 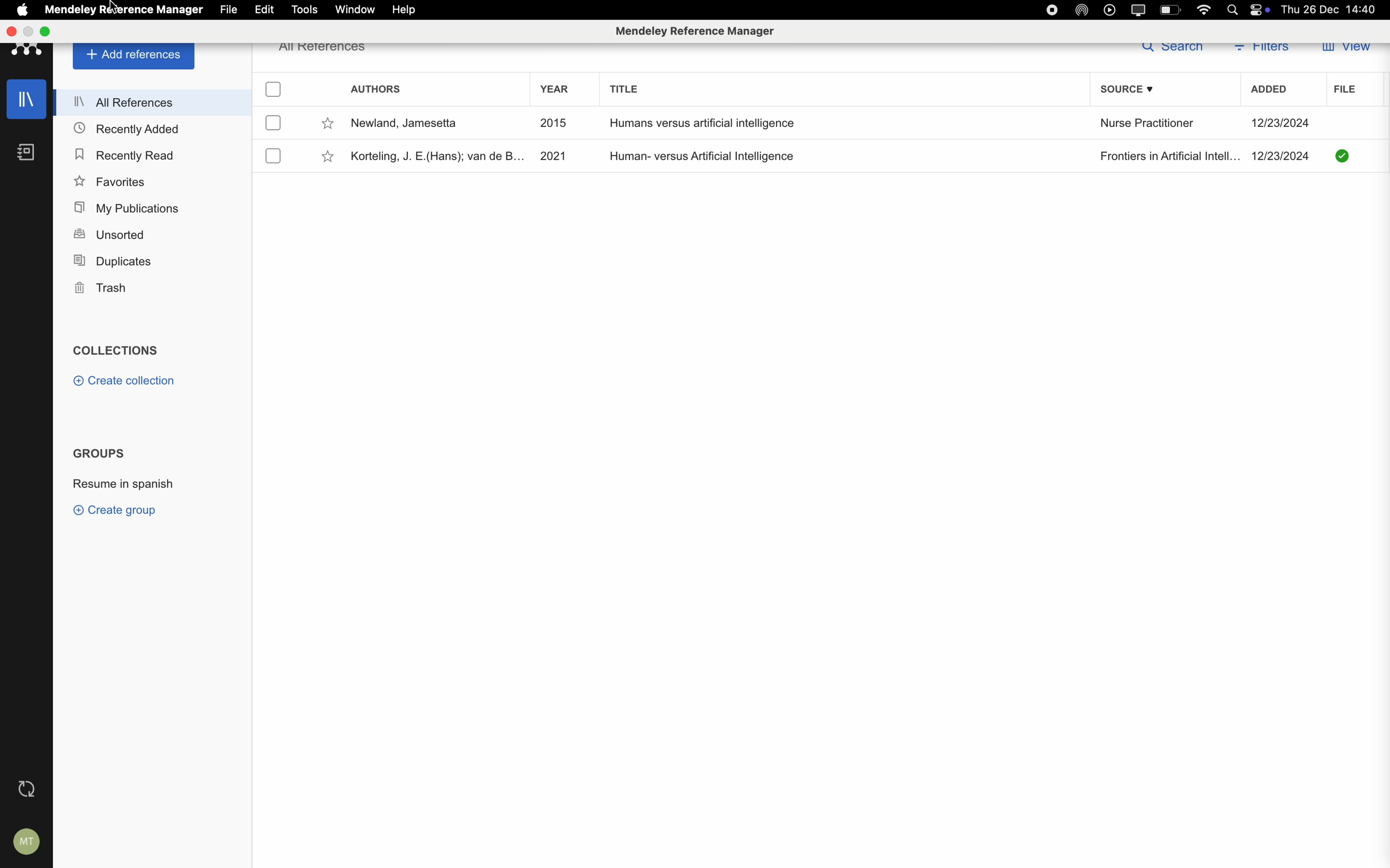 I want to click on close Mendeley, so click(x=10, y=32).